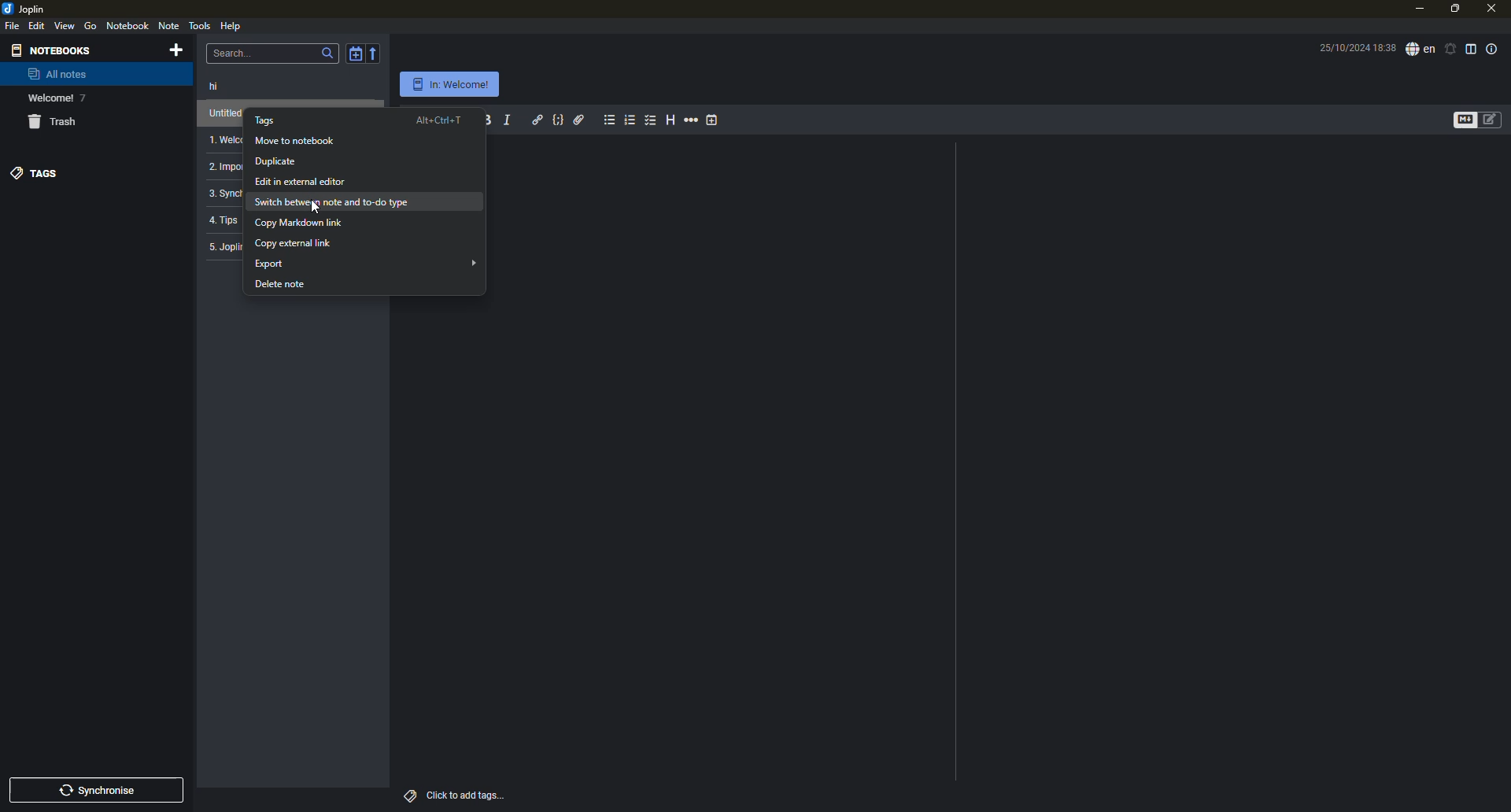 This screenshot has height=812, width=1511. What do you see at coordinates (27, 8) in the screenshot?
I see `joplin` at bounding box center [27, 8].